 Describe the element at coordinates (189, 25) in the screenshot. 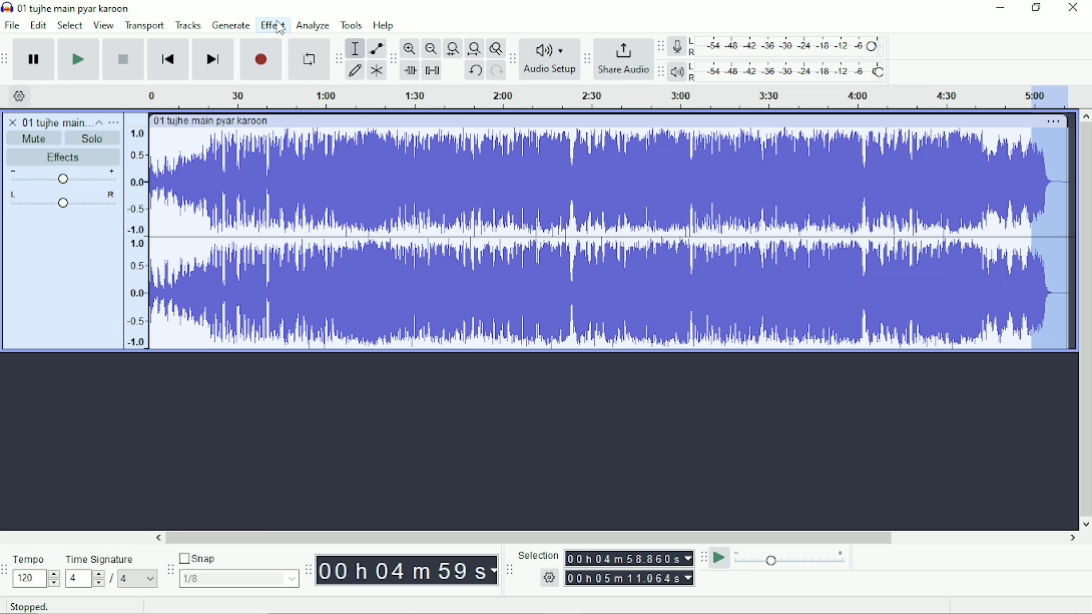

I see `Tracks` at that location.